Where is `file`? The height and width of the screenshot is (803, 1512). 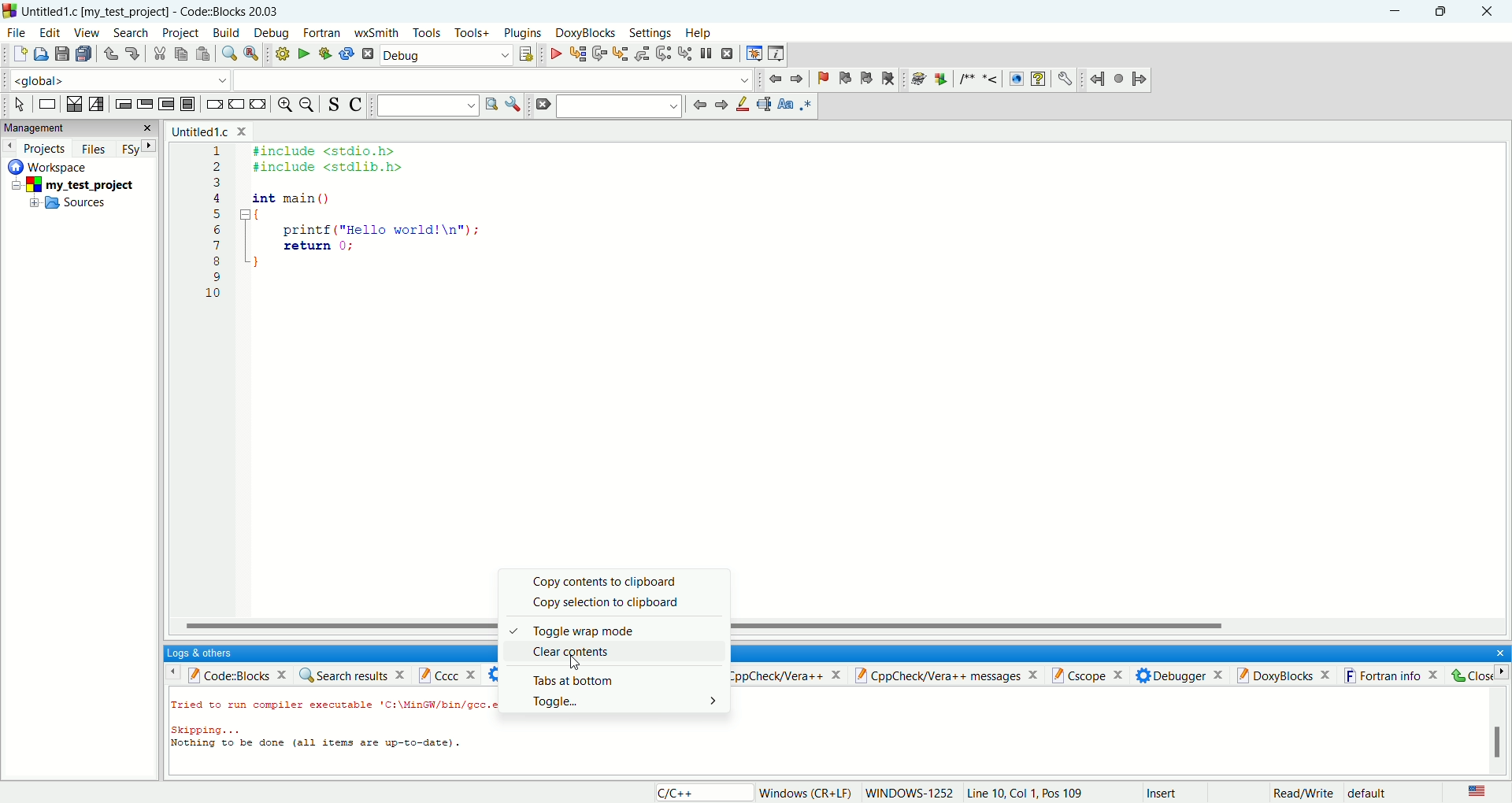
file is located at coordinates (16, 31).